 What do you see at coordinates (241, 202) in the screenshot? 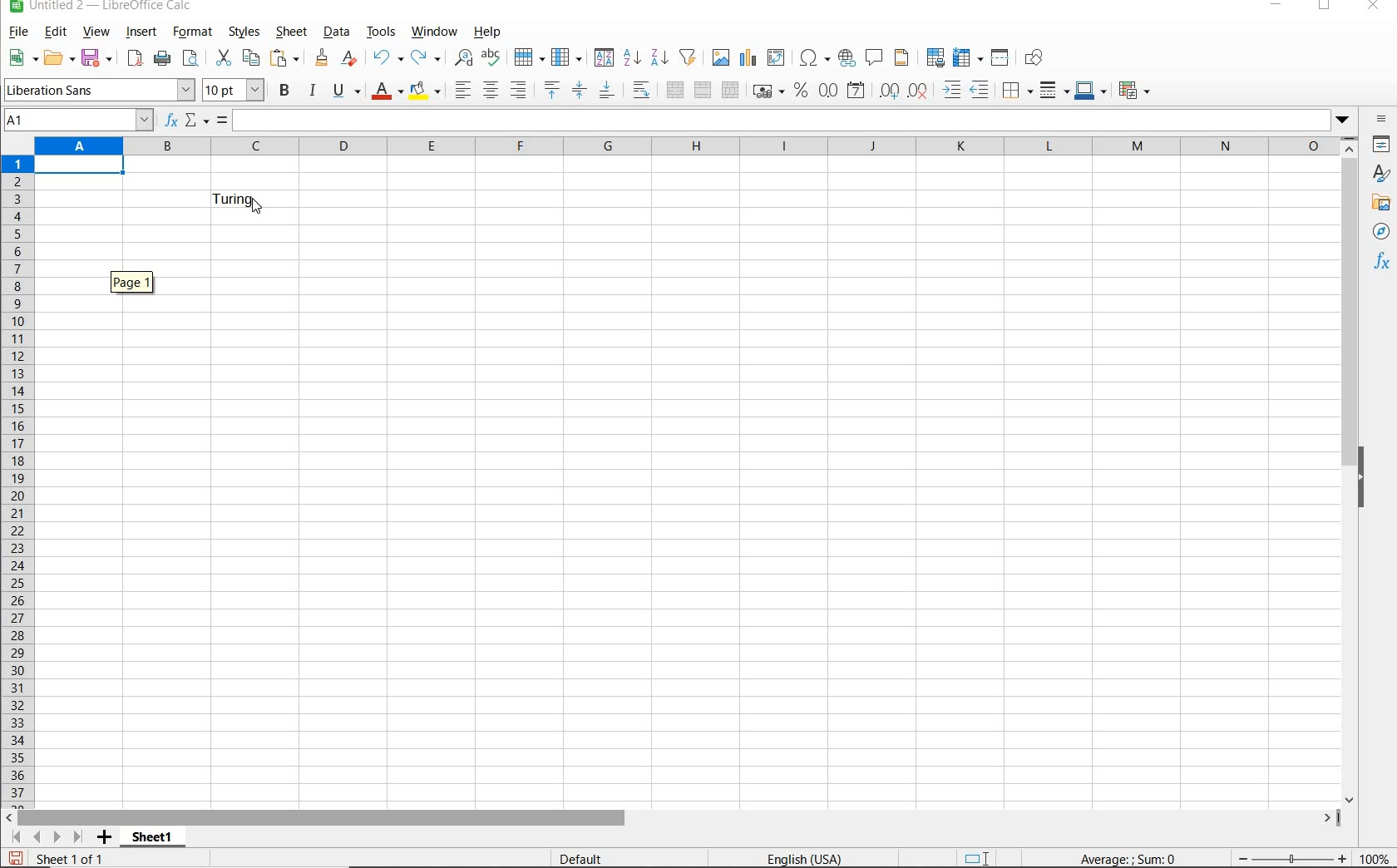
I see `TEXT` at bounding box center [241, 202].